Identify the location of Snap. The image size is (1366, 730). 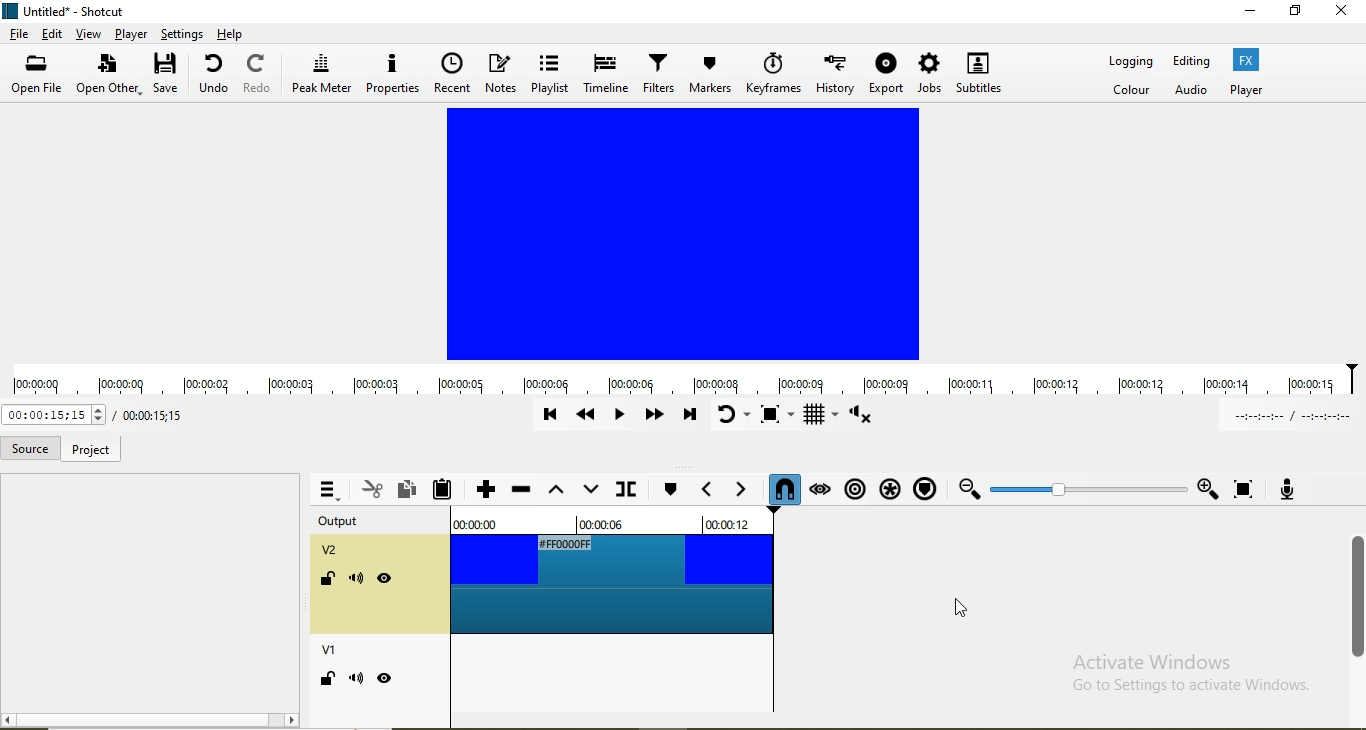
(781, 489).